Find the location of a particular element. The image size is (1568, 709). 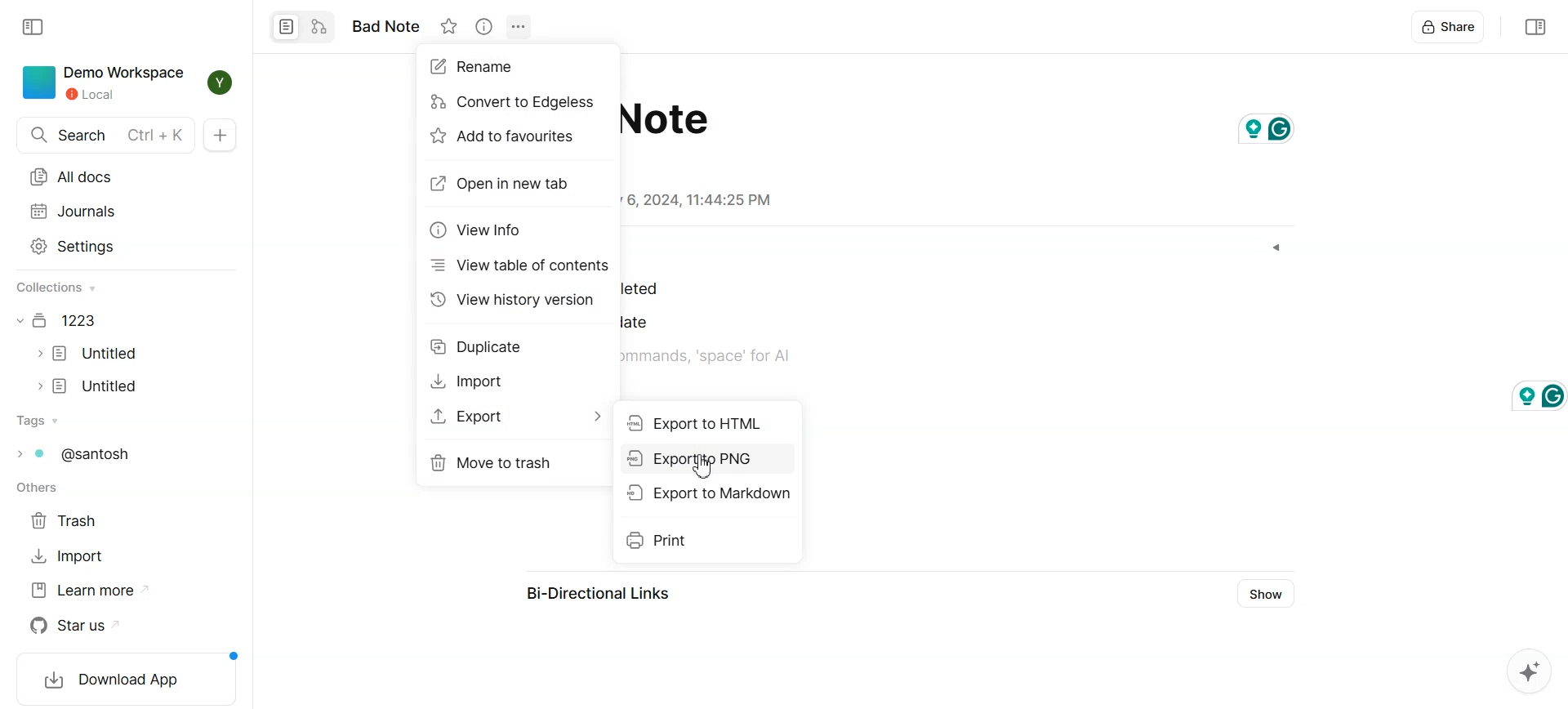

Dropdown box is located at coordinates (1276, 247).